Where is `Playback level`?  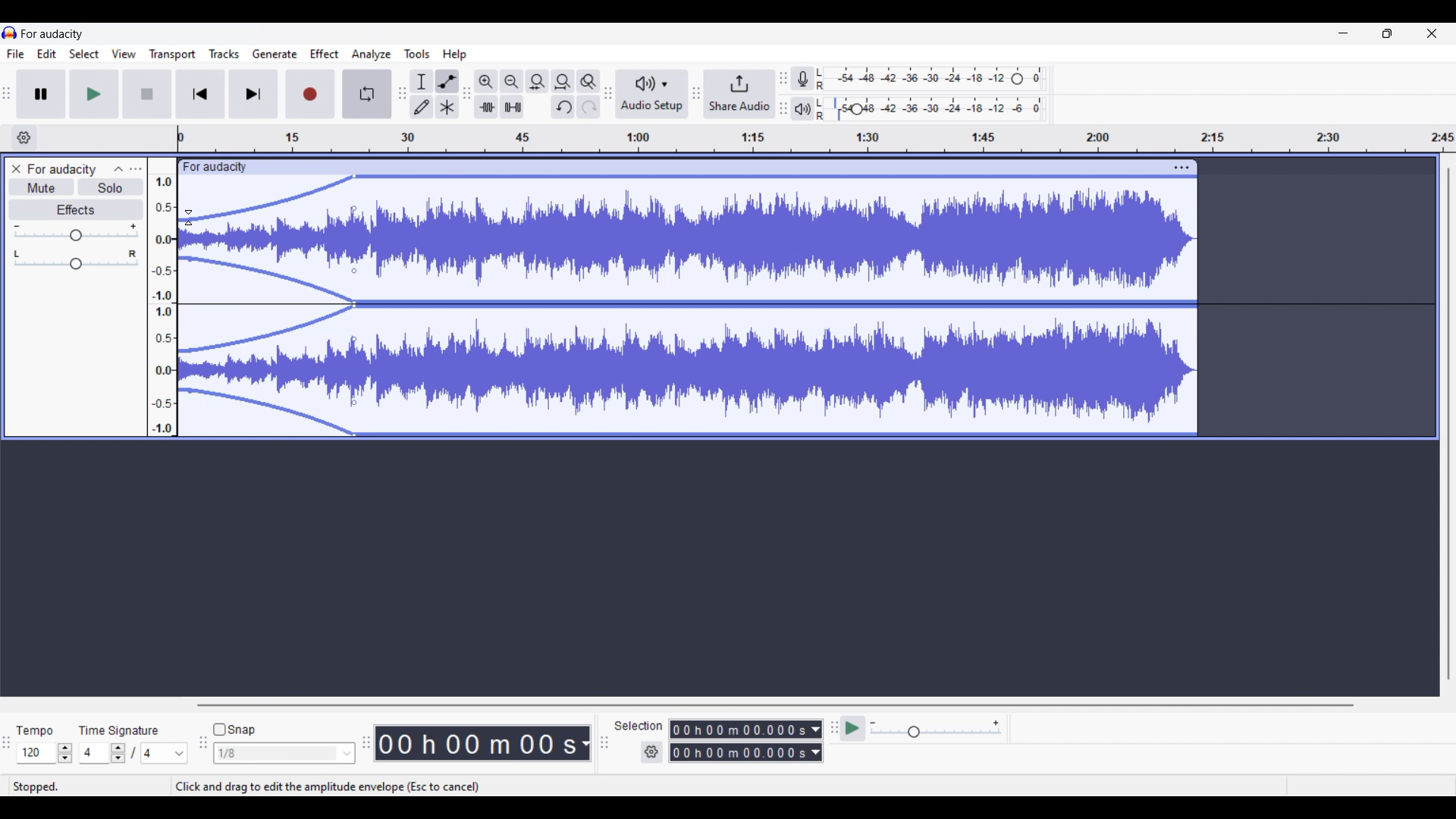 Playback level is located at coordinates (930, 108).